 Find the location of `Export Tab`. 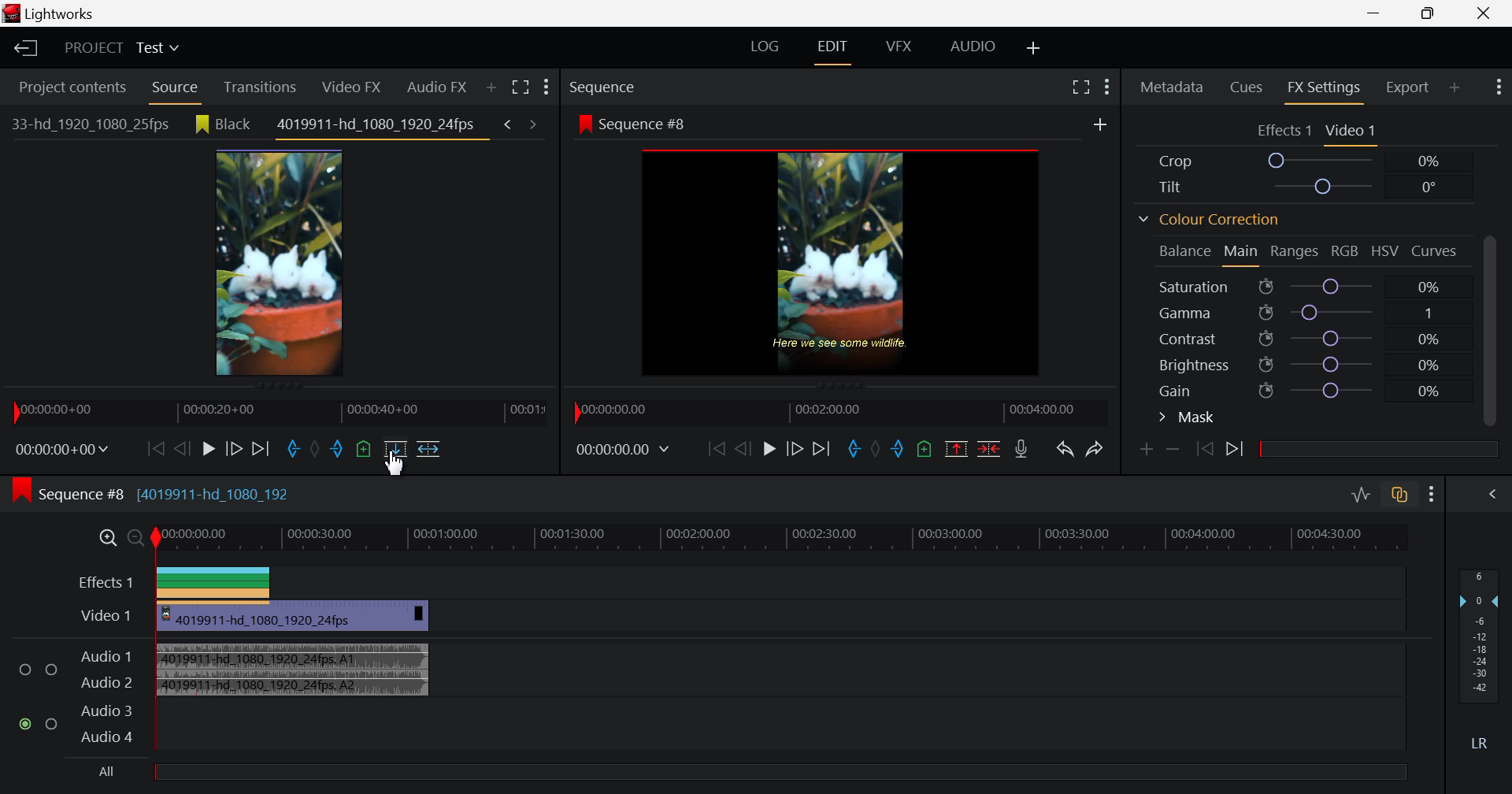

Export Tab is located at coordinates (1406, 87).